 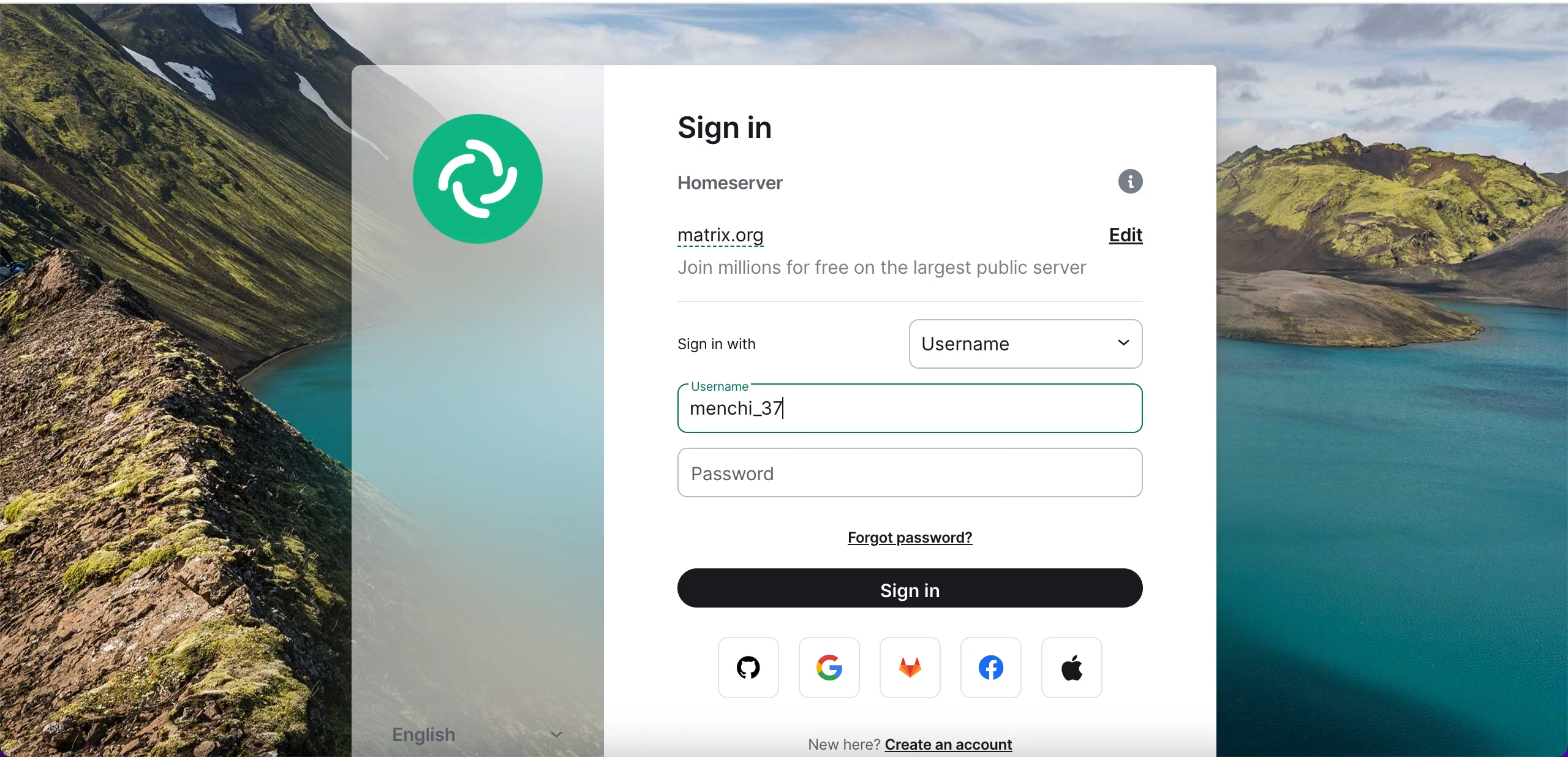 I want to click on sign in with, so click(x=756, y=344).